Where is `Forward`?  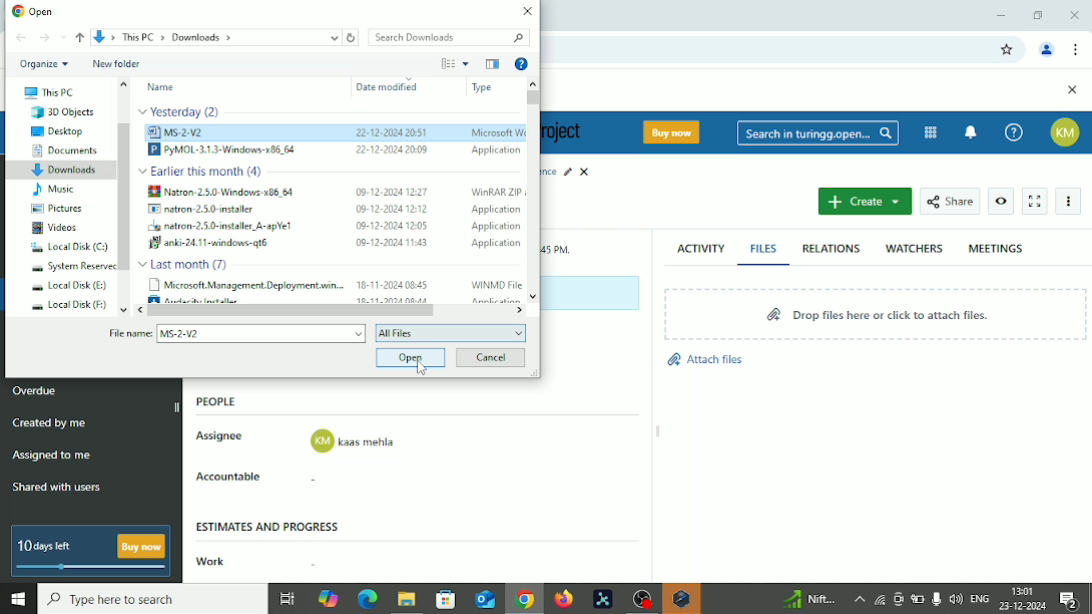
Forward is located at coordinates (41, 38).